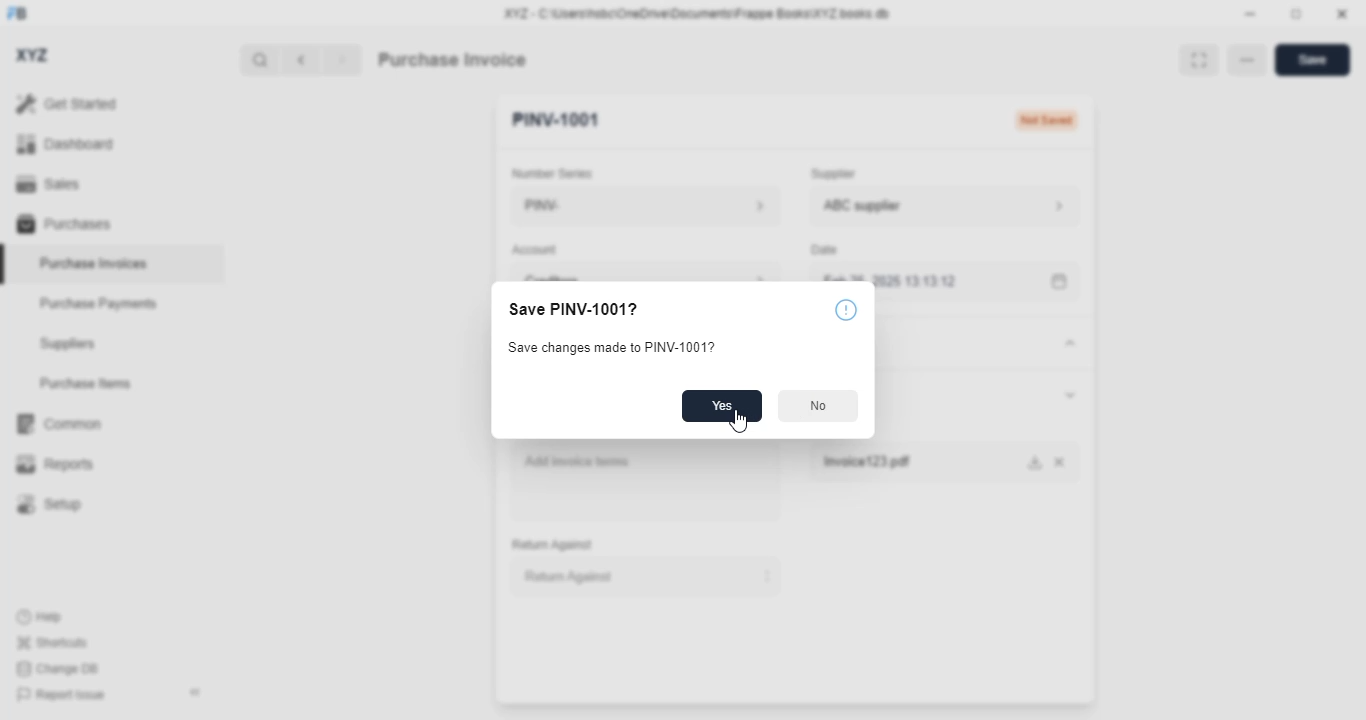 The image size is (1366, 720). What do you see at coordinates (820, 249) in the screenshot?
I see `date` at bounding box center [820, 249].